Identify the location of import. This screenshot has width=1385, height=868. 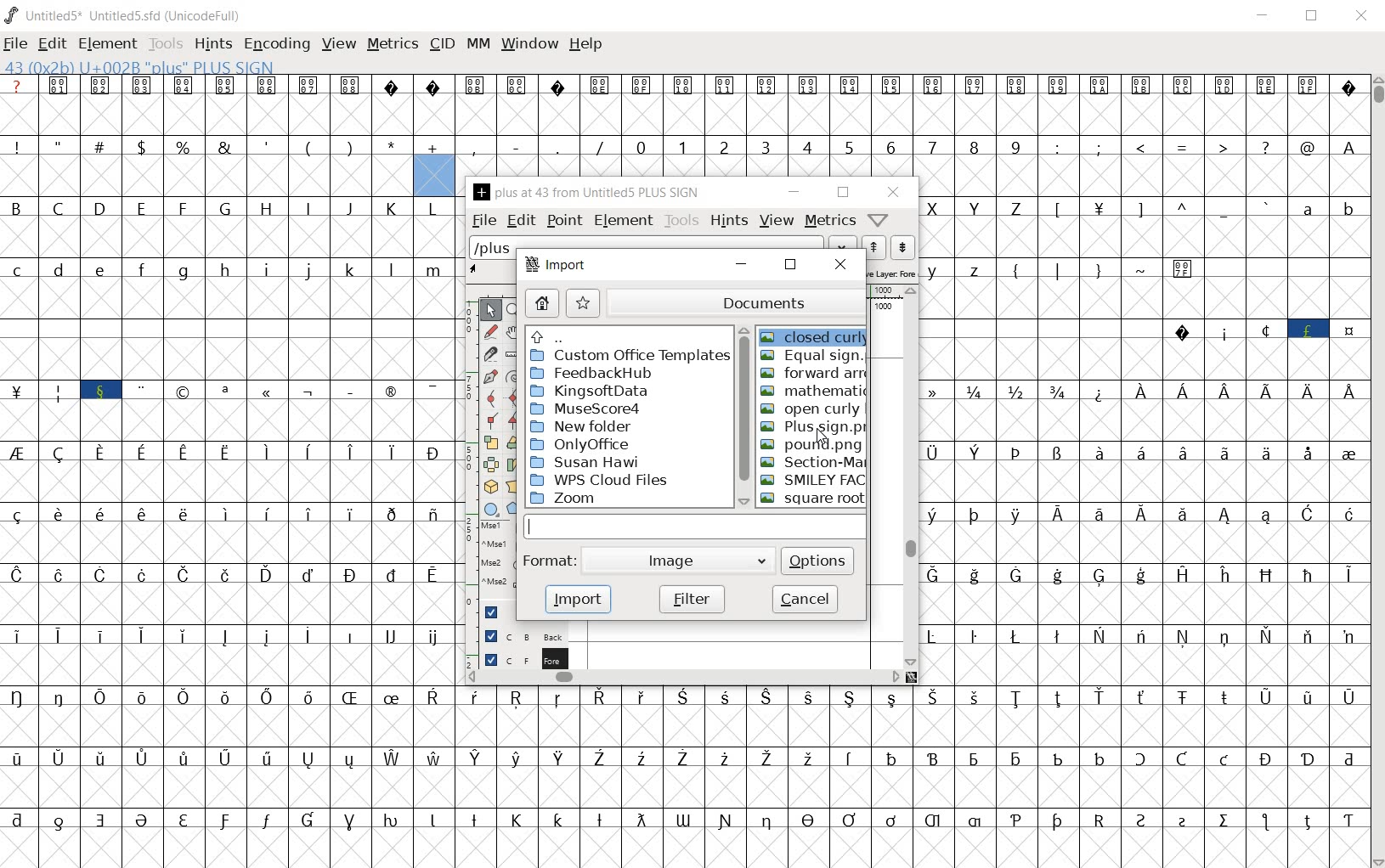
(559, 268).